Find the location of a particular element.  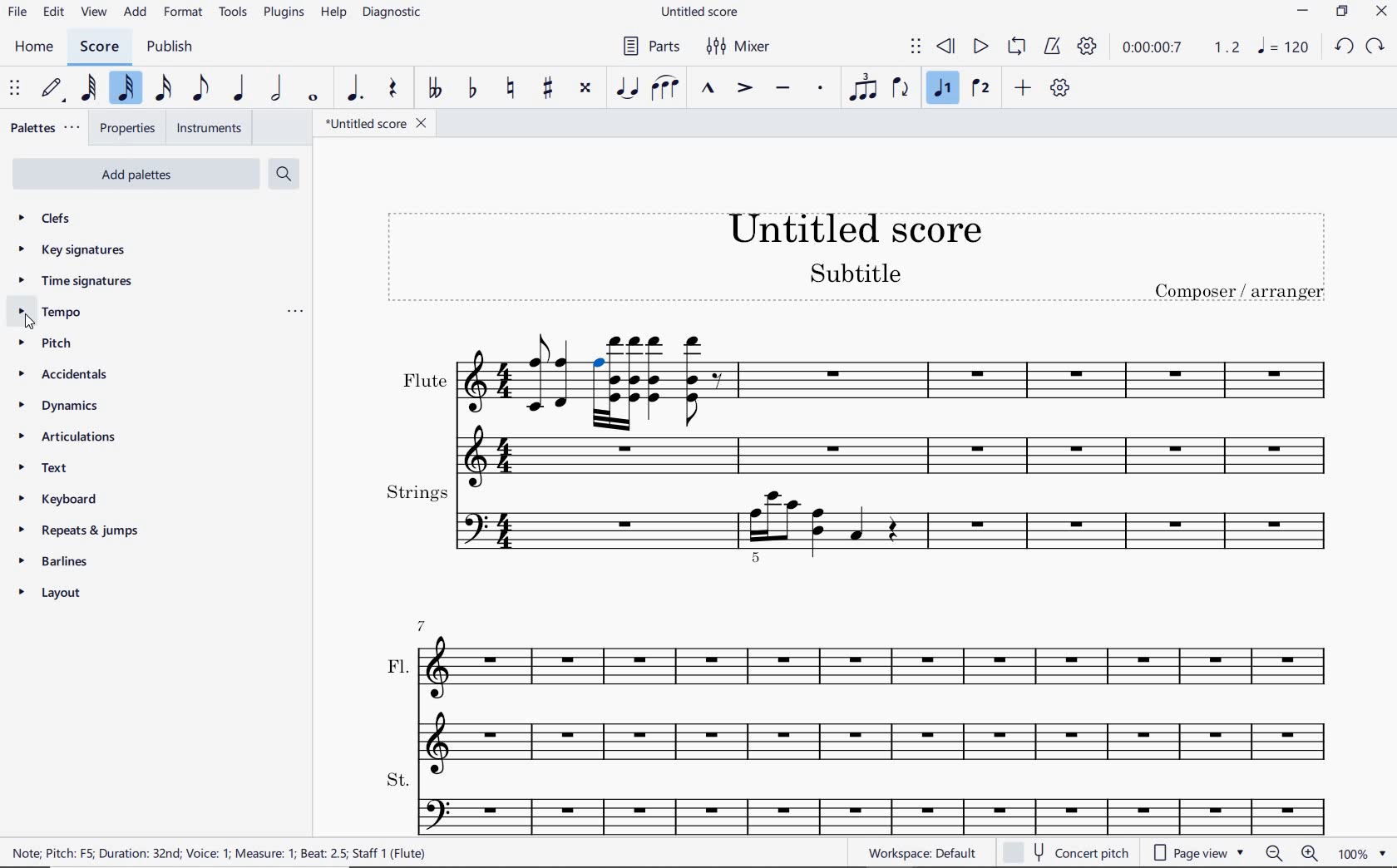

search palettes is located at coordinates (286, 173).